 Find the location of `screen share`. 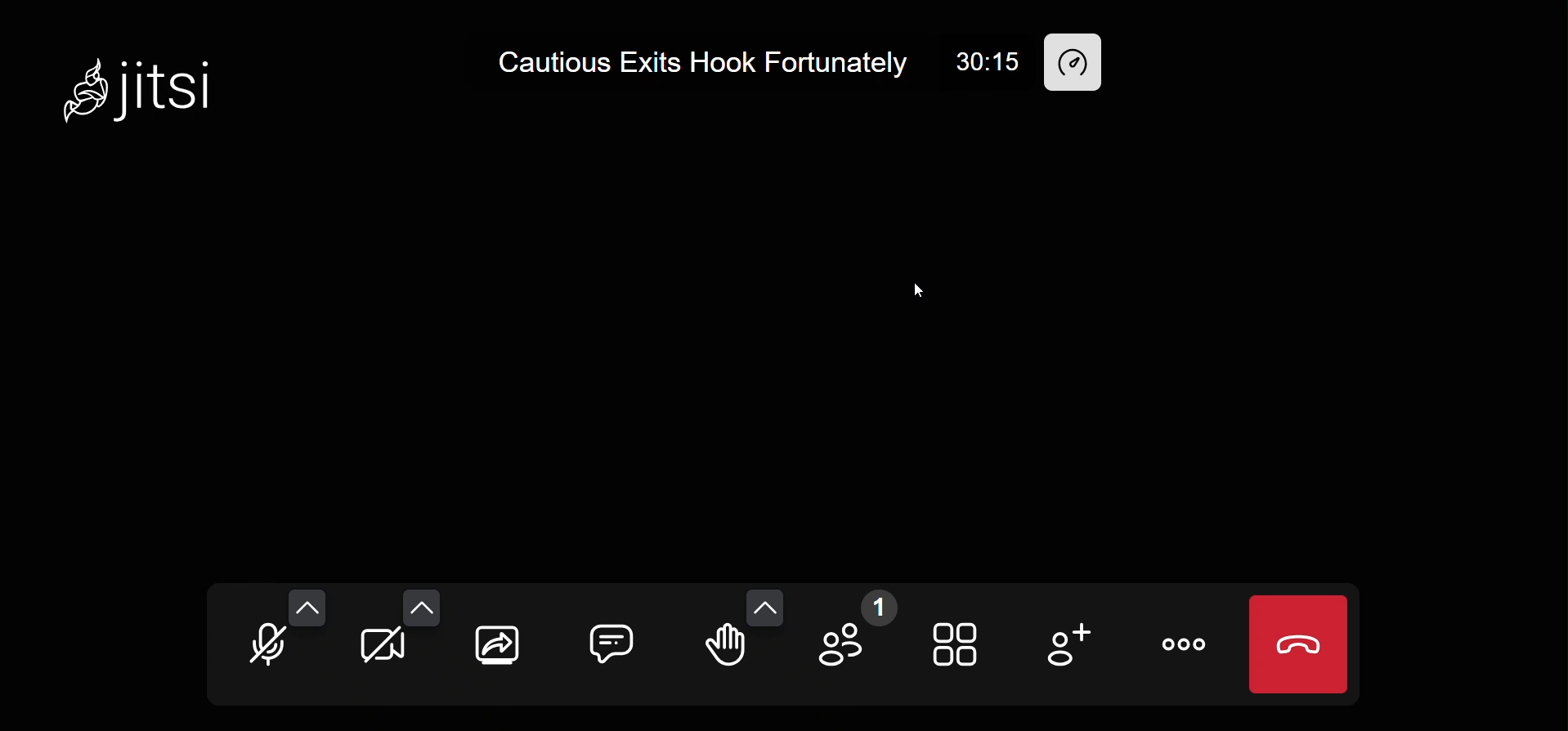

screen share is located at coordinates (504, 644).